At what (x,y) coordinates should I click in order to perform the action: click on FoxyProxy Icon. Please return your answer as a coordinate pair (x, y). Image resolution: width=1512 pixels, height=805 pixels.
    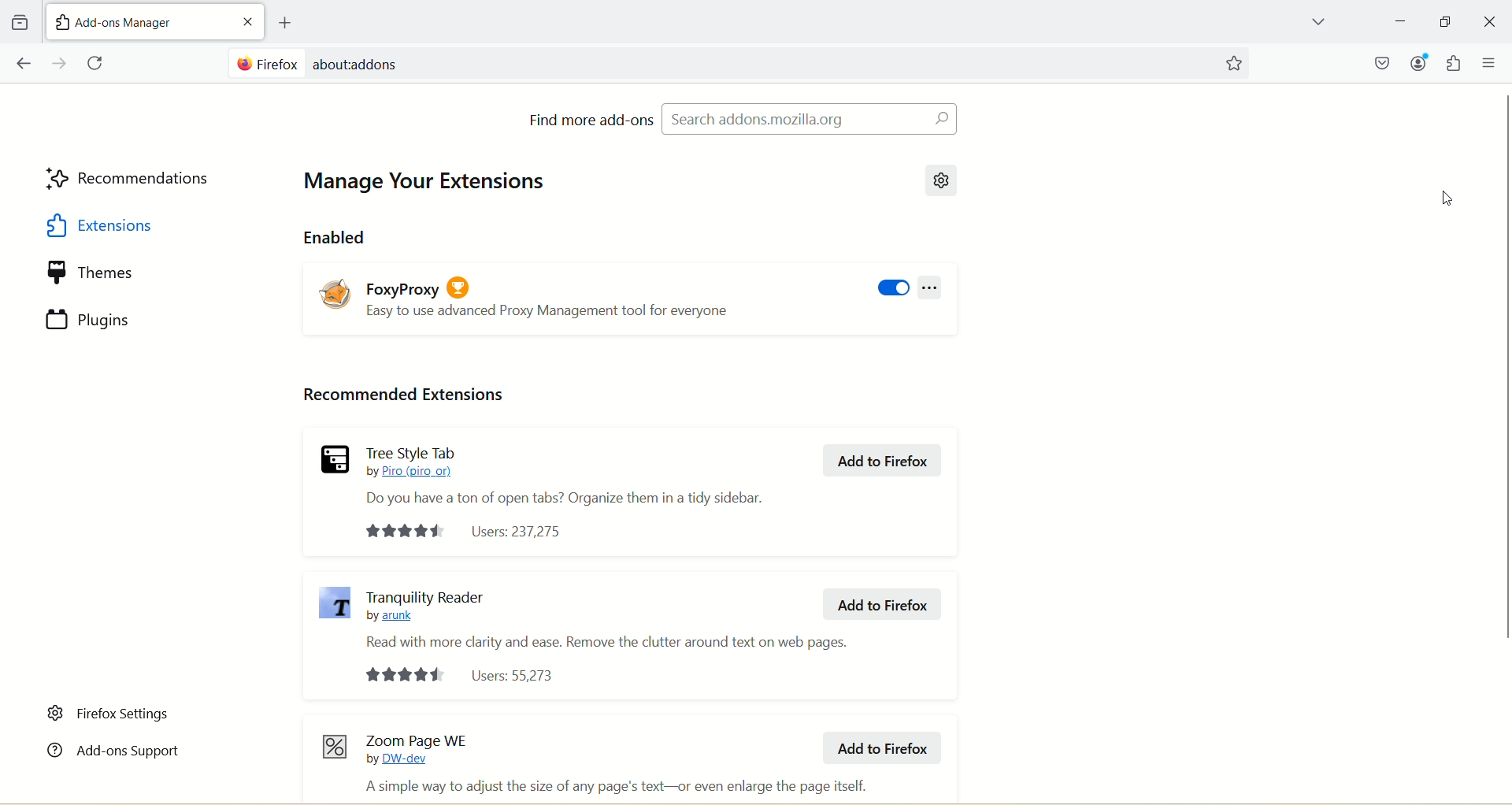
    Looking at the image, I should click on (336, 293).